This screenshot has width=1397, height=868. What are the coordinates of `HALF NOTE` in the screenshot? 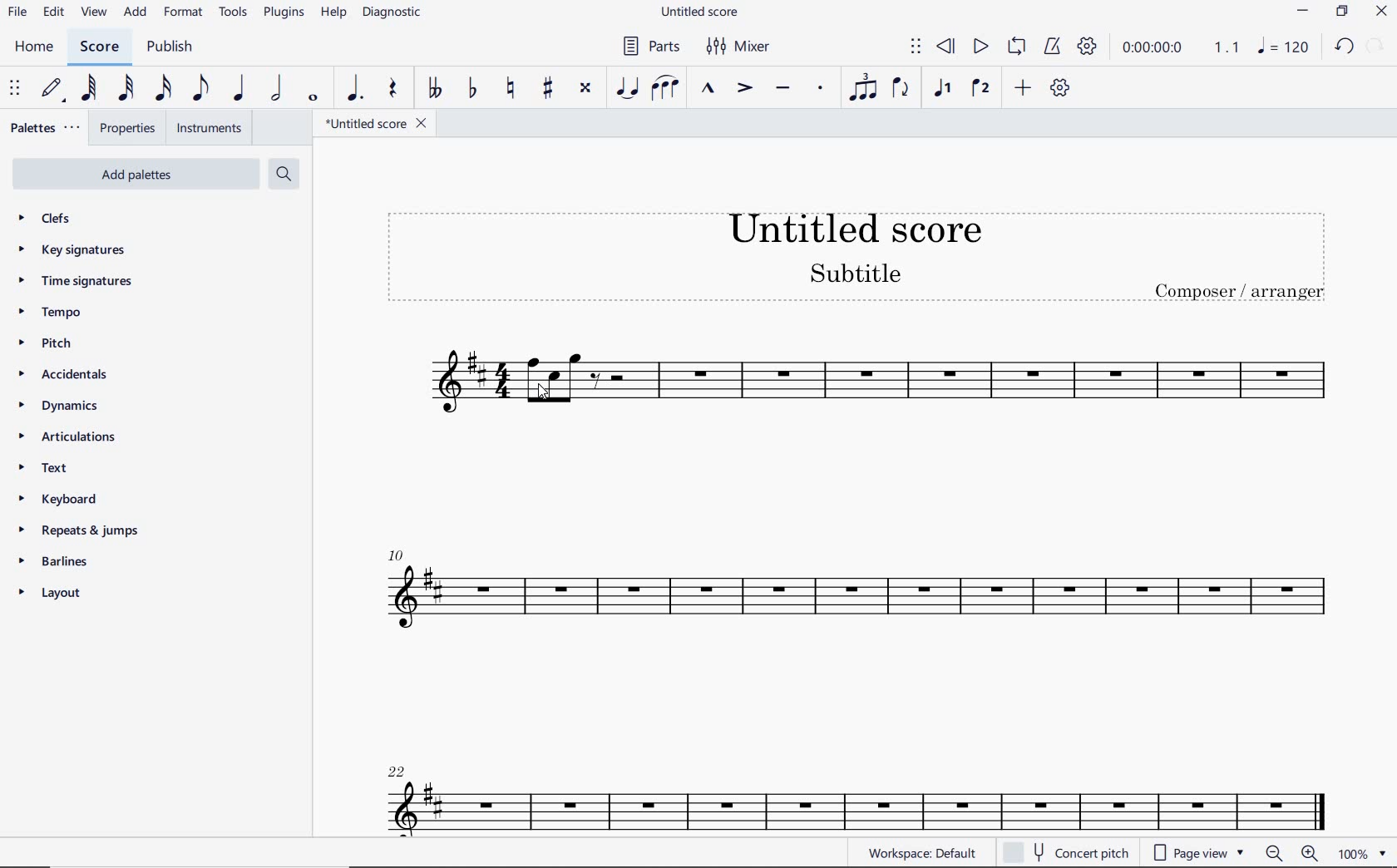 It's located at (277, 91).